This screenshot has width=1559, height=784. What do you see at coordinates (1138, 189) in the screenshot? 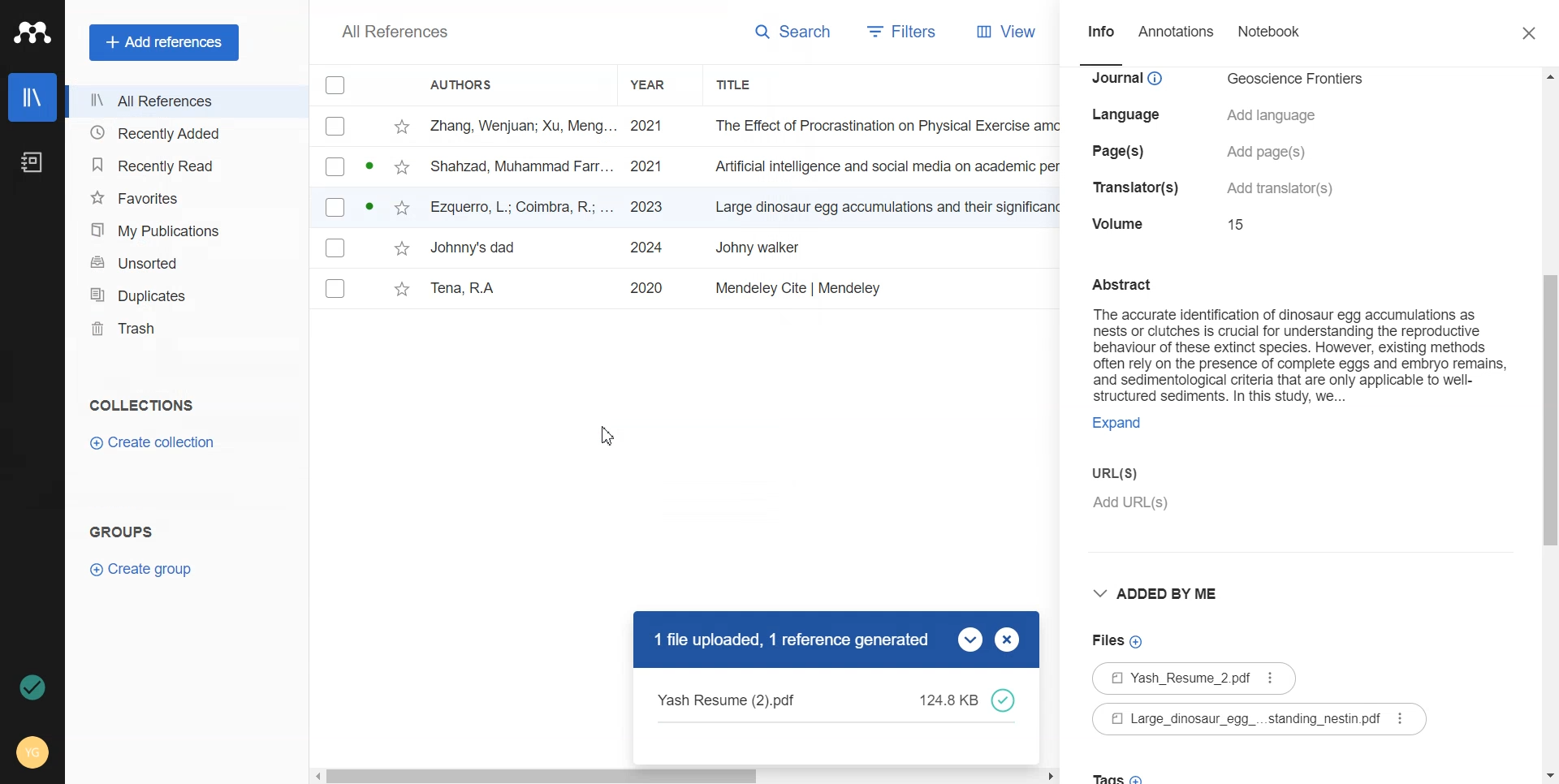
I see `details` at bounding box center [1138, 189].